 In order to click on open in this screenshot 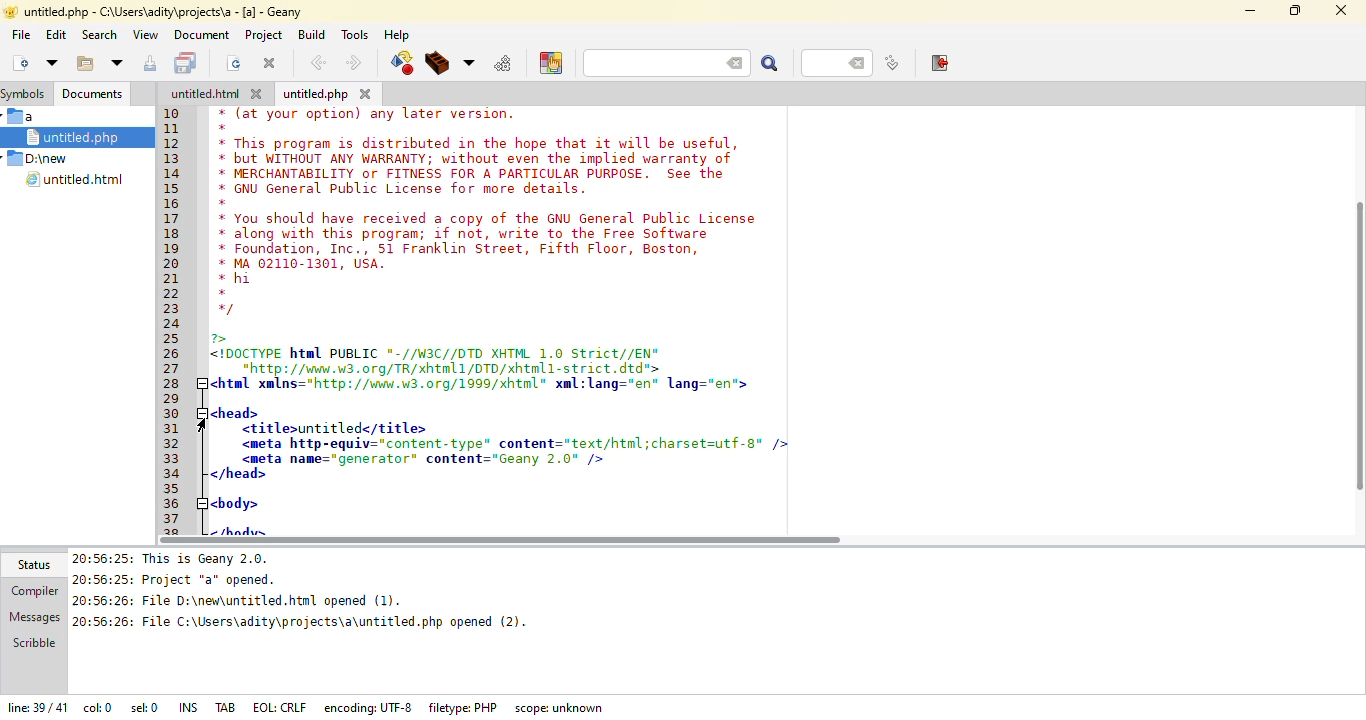, I will do `click(84, 63)`.